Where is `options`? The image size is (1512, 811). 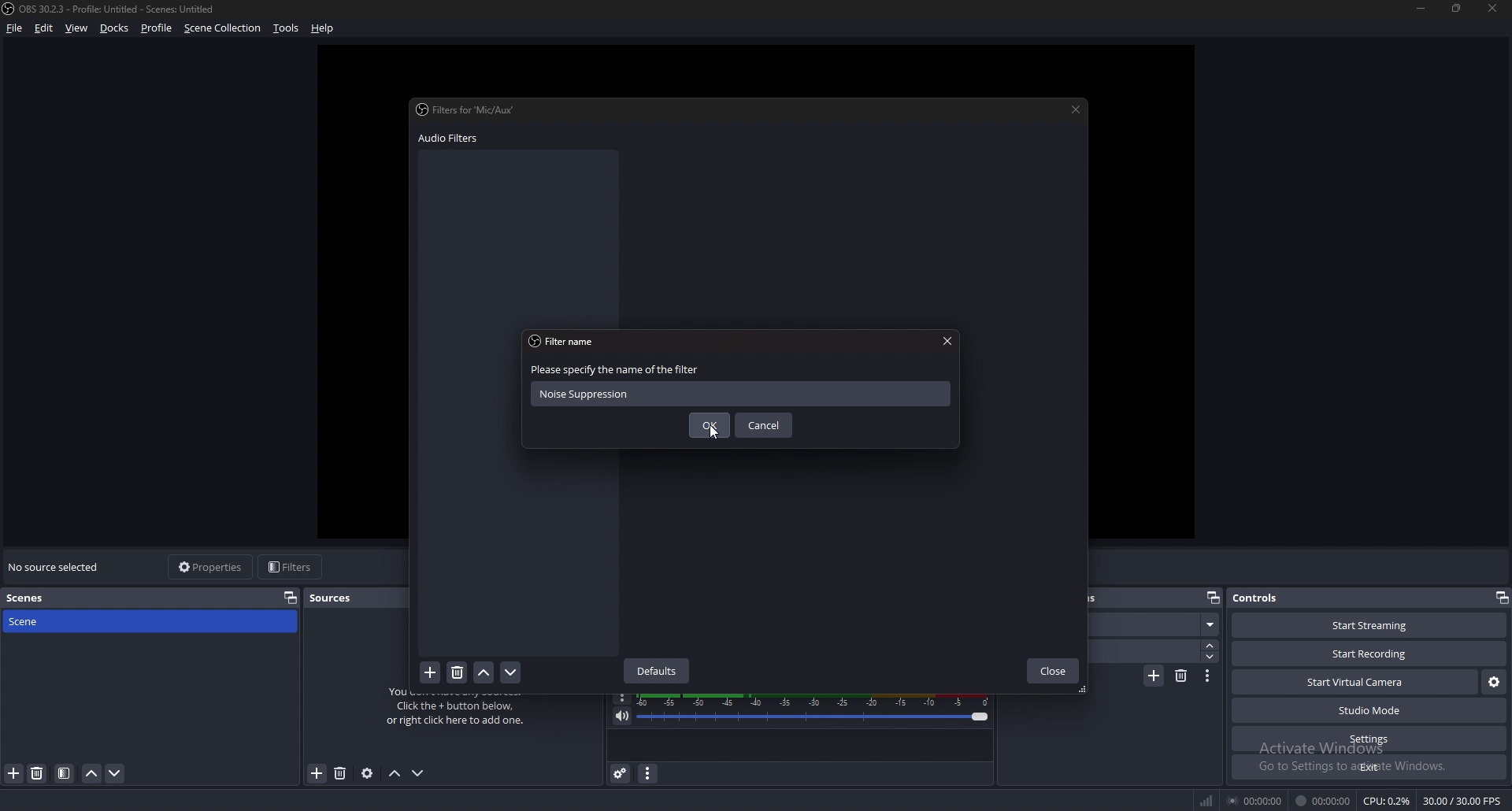 options is located at coordinates (623, 698).